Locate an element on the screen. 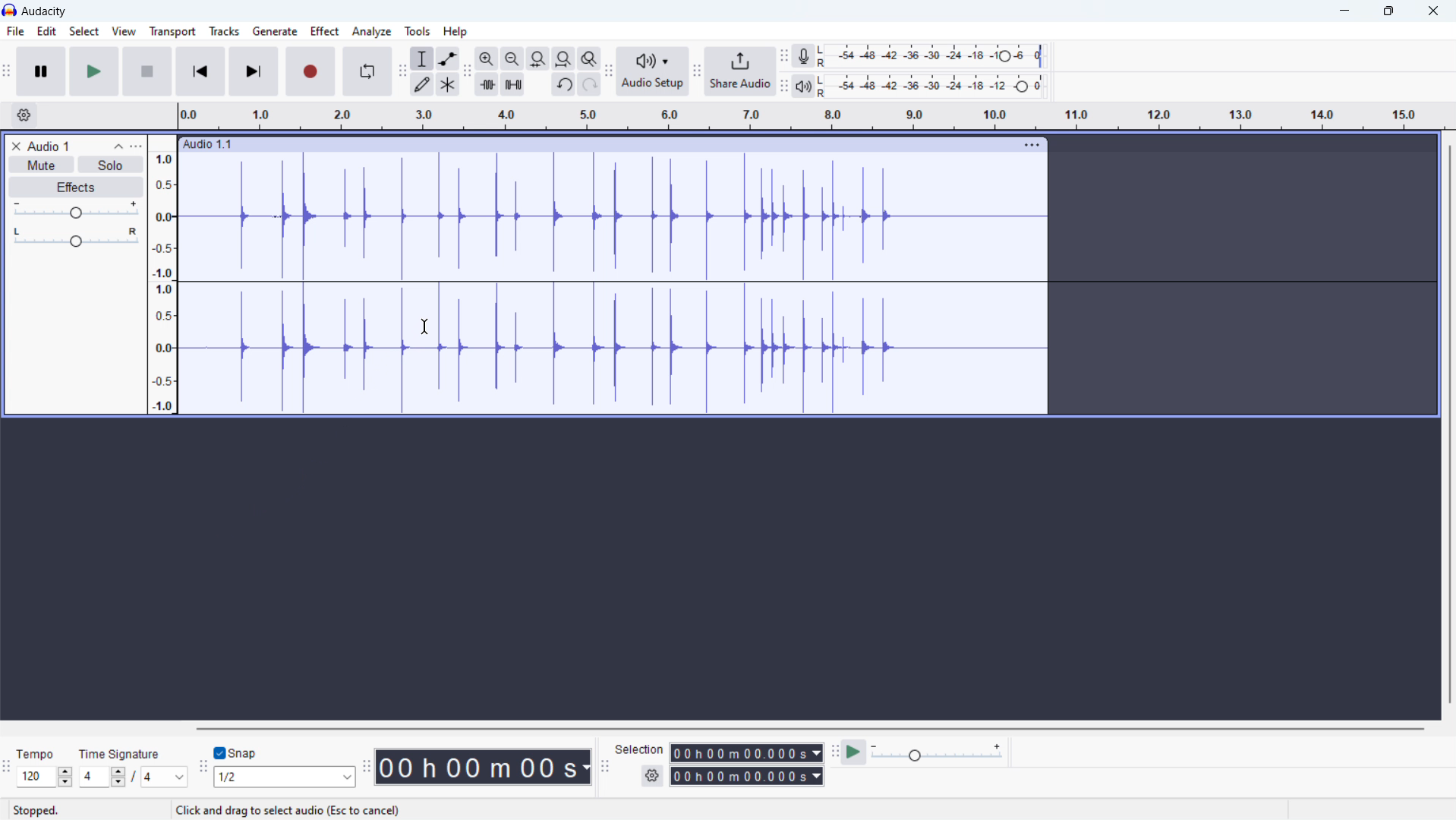 The image size is (1456, 820). share audio toolbar is located at coordinates (697, 71).